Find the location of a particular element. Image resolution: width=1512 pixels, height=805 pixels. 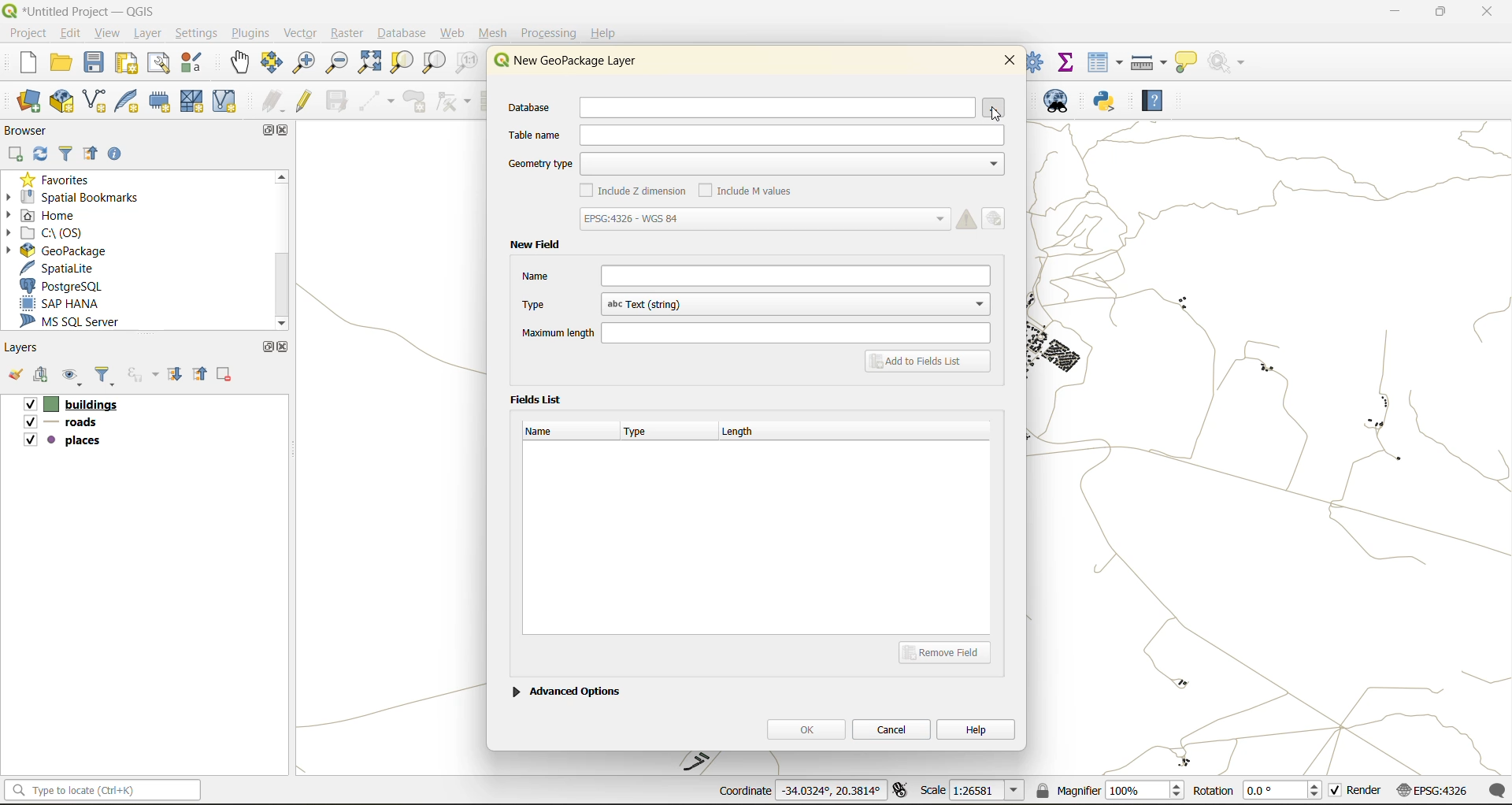

places is located at coordinates (63, 443).